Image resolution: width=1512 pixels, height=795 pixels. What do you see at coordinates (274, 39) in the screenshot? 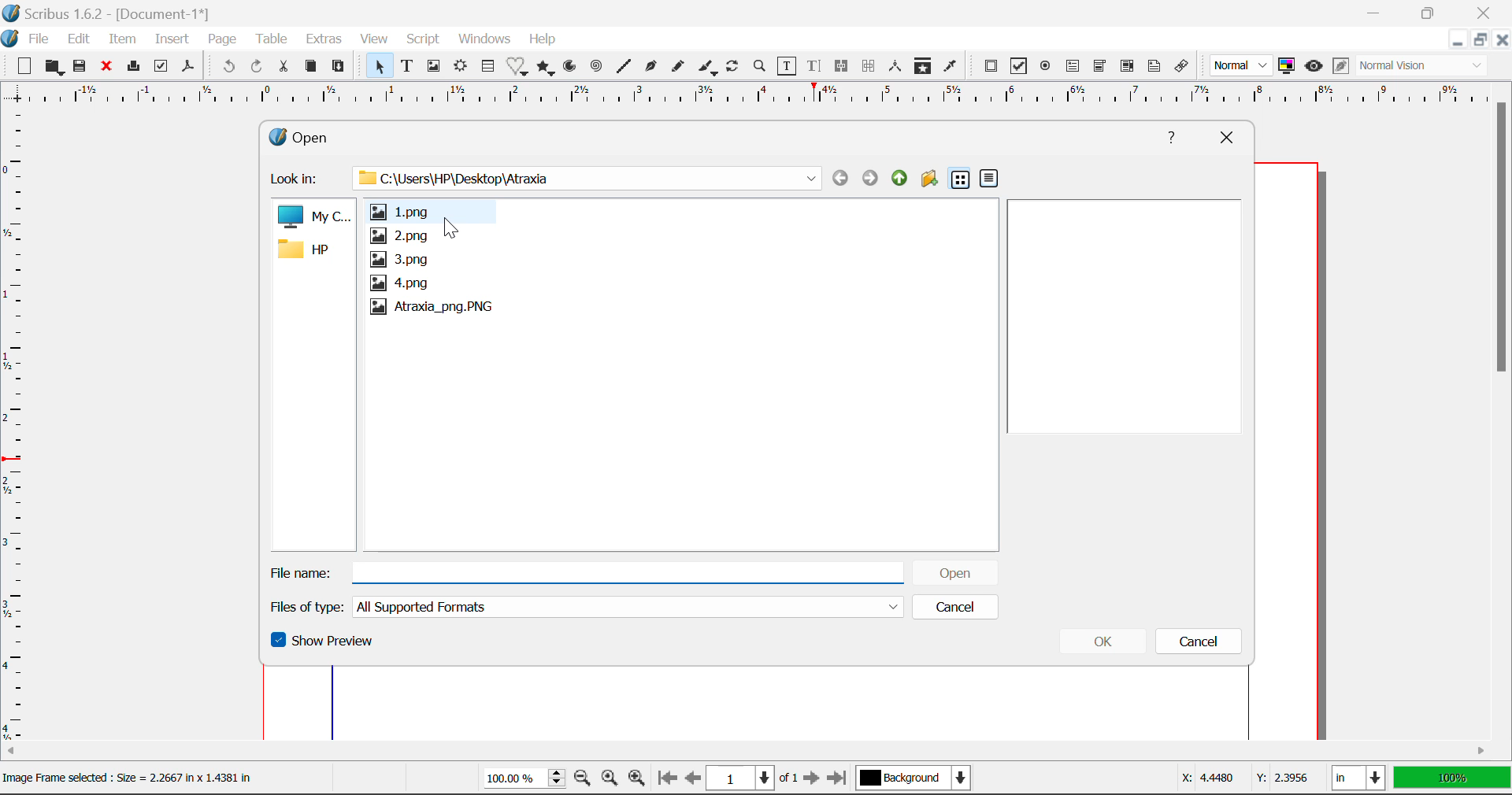
I see `Table` at bounding box center [274, 39].